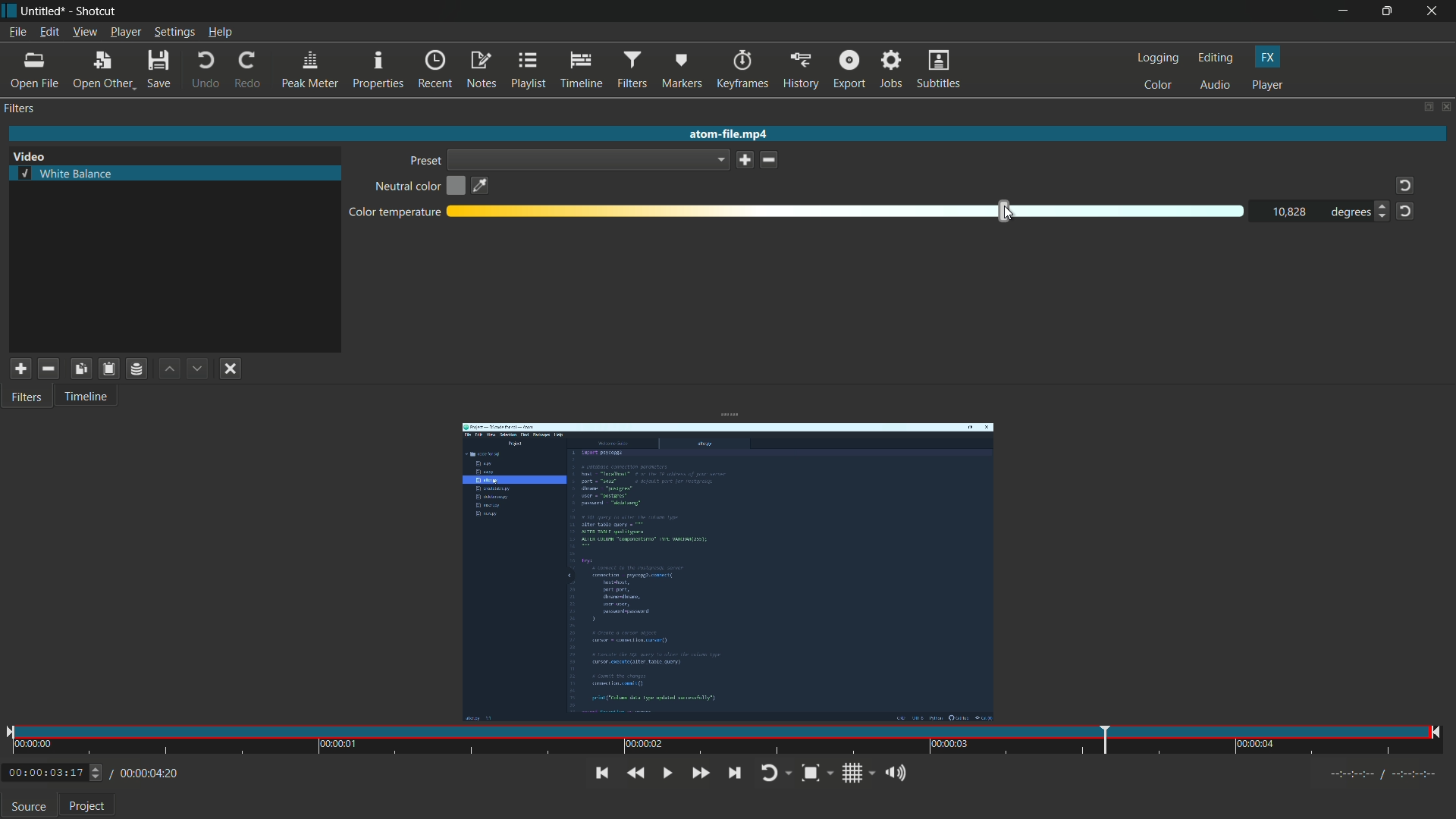 This screenshot has width=1456, height=819. I want to click on time, so click(724, 742).